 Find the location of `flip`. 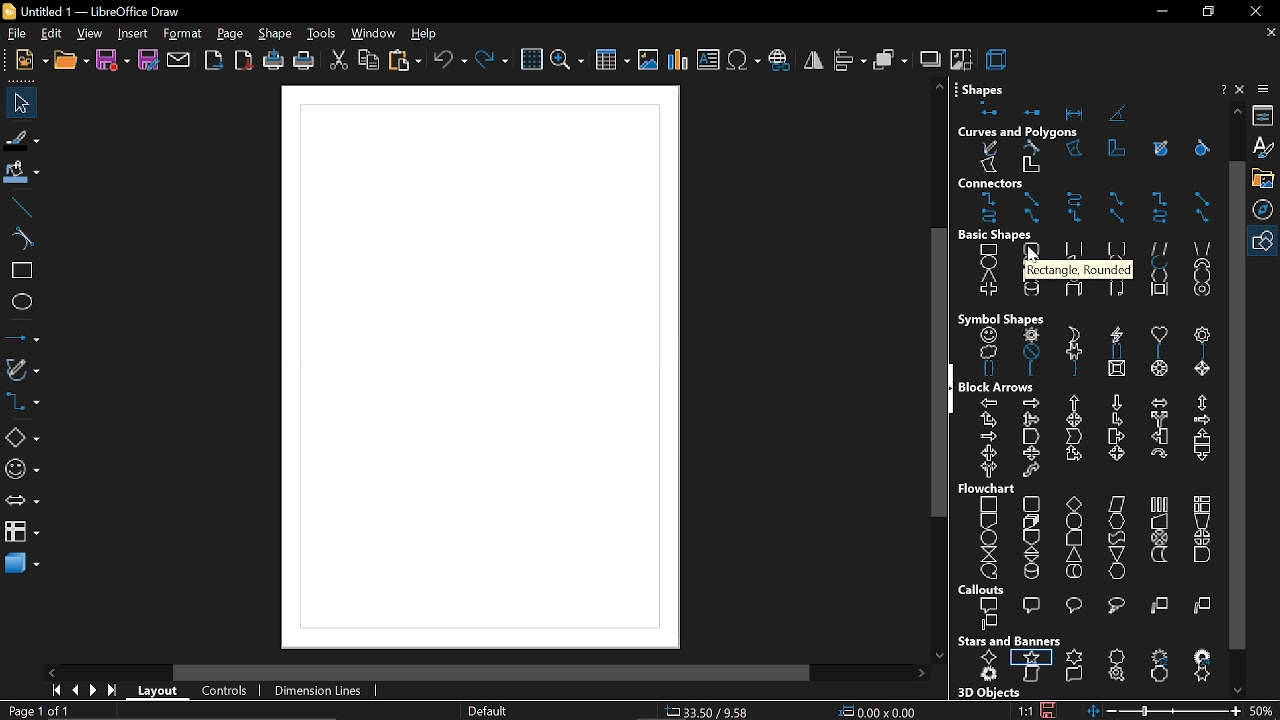

flip is located at coordinates (814, 60).